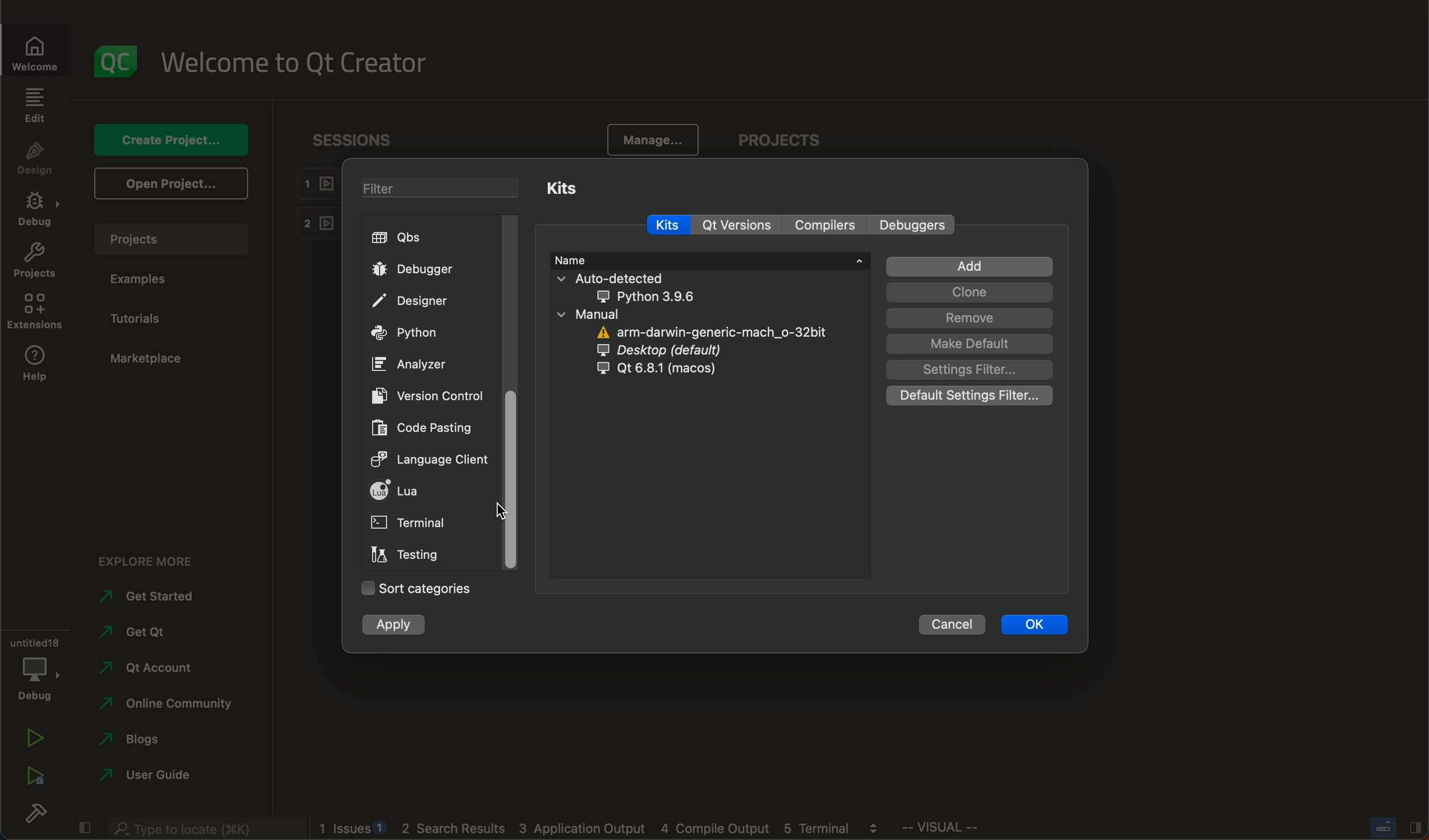 The image size is (1429, 840). What do you see at coordinates (969, 268) in the screenshot?
I see `add` at bounding box center [969, 268].